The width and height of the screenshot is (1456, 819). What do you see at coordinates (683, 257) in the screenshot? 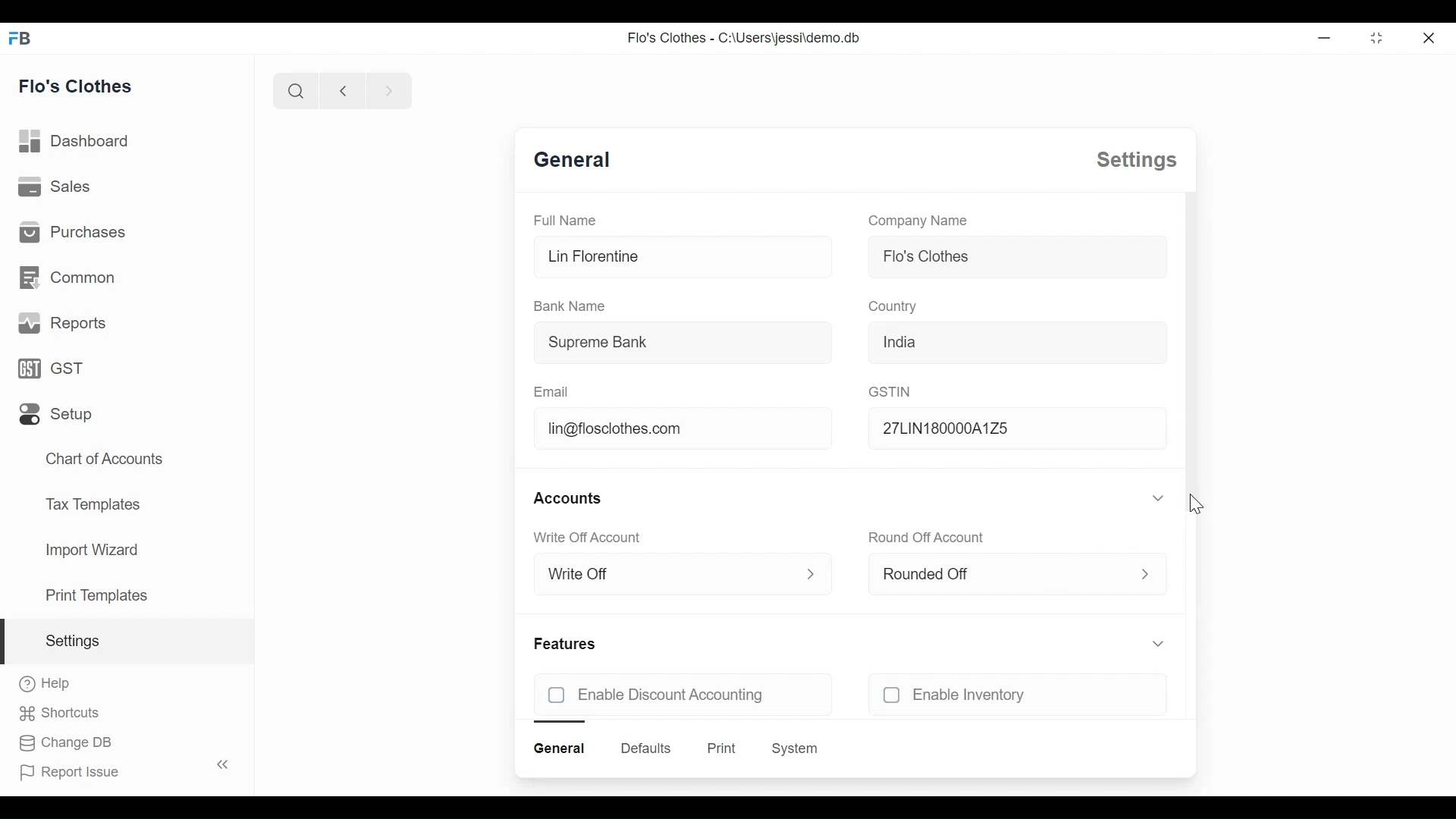
I see `Lin Florentine` at bounding box center [683, 257].